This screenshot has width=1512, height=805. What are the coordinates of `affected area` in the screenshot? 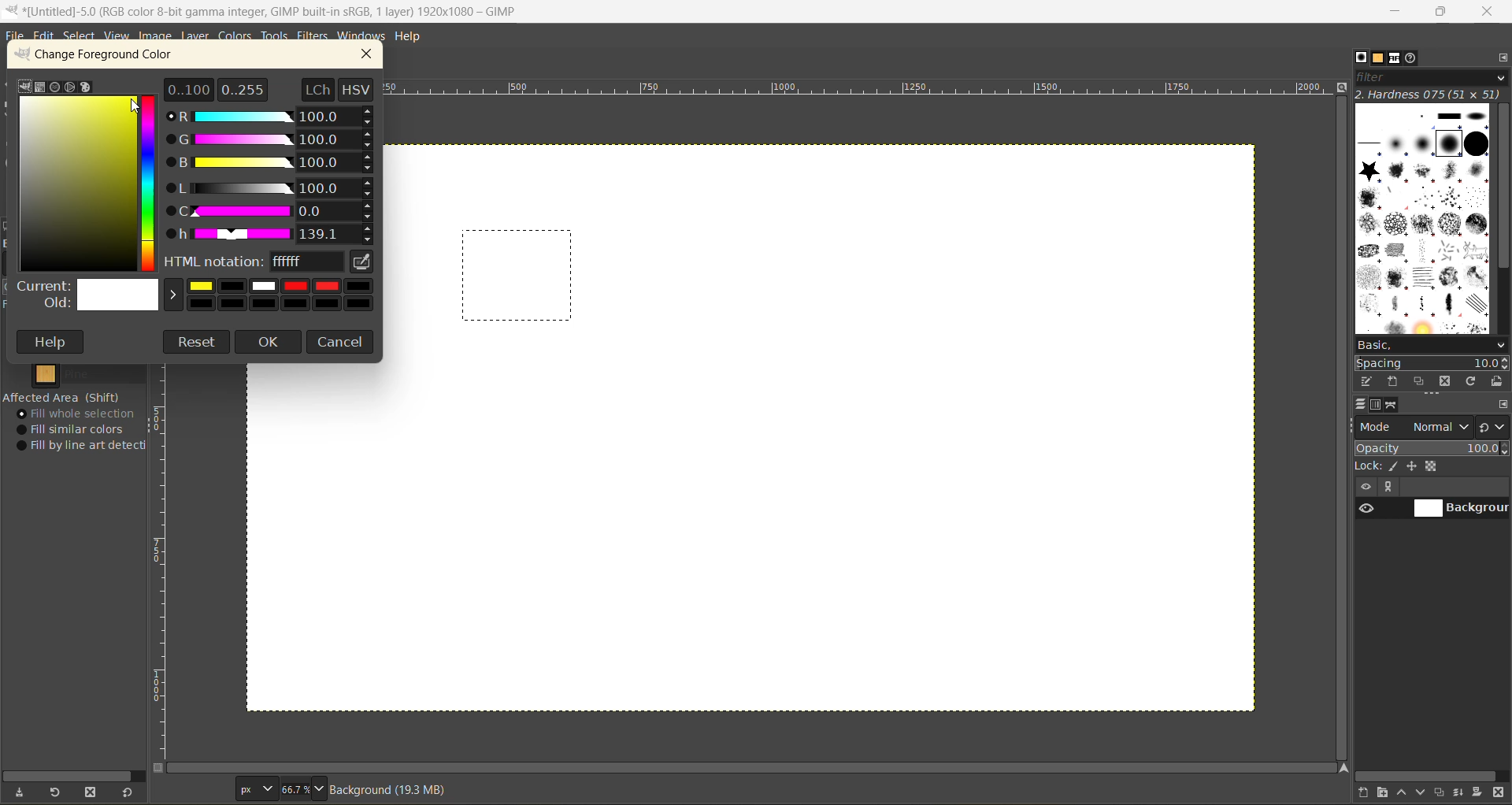 It's located at (63, 397).